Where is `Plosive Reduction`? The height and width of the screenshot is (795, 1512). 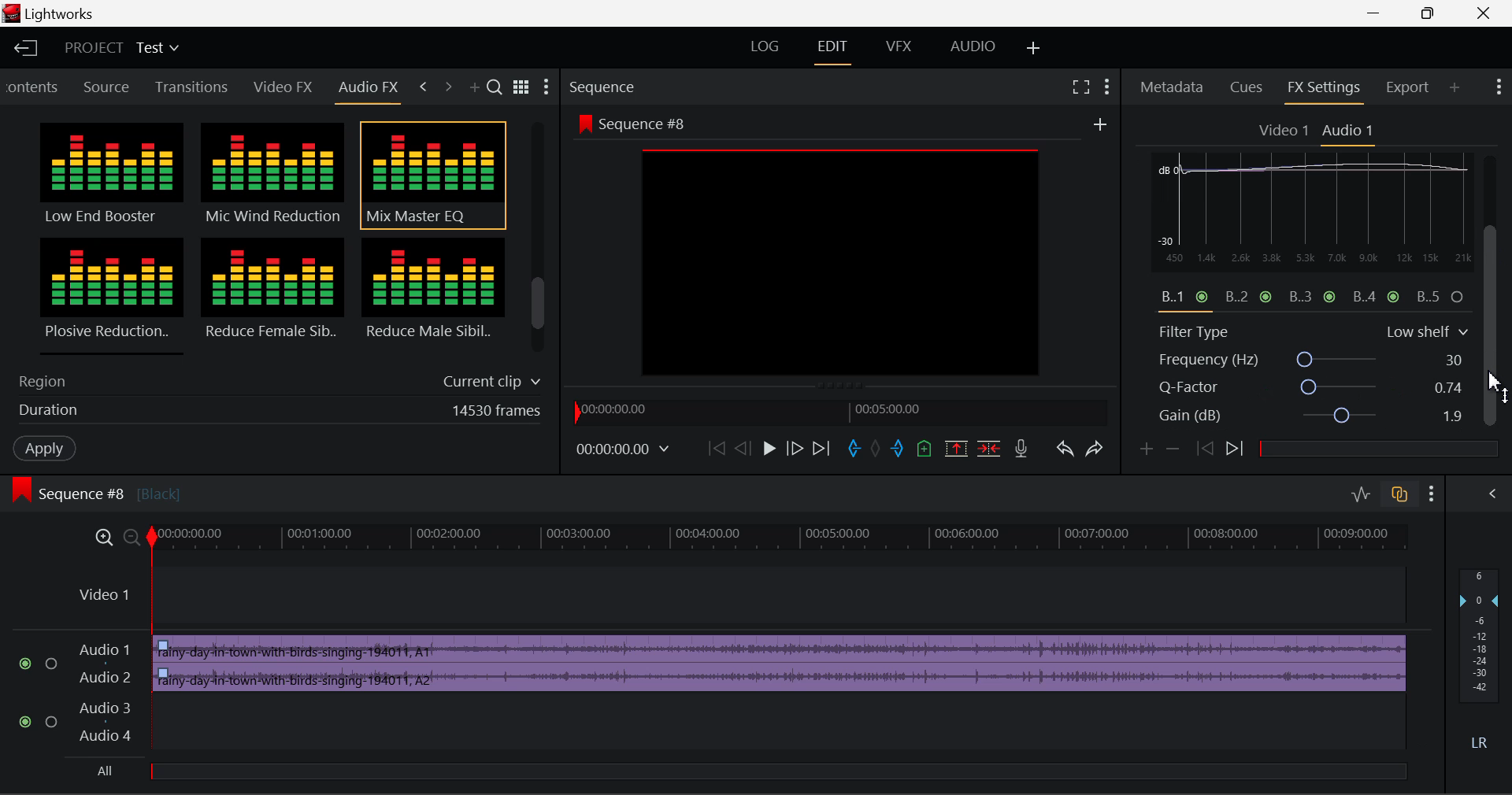 Plosive Reduction is located at coordinates (109, 294).